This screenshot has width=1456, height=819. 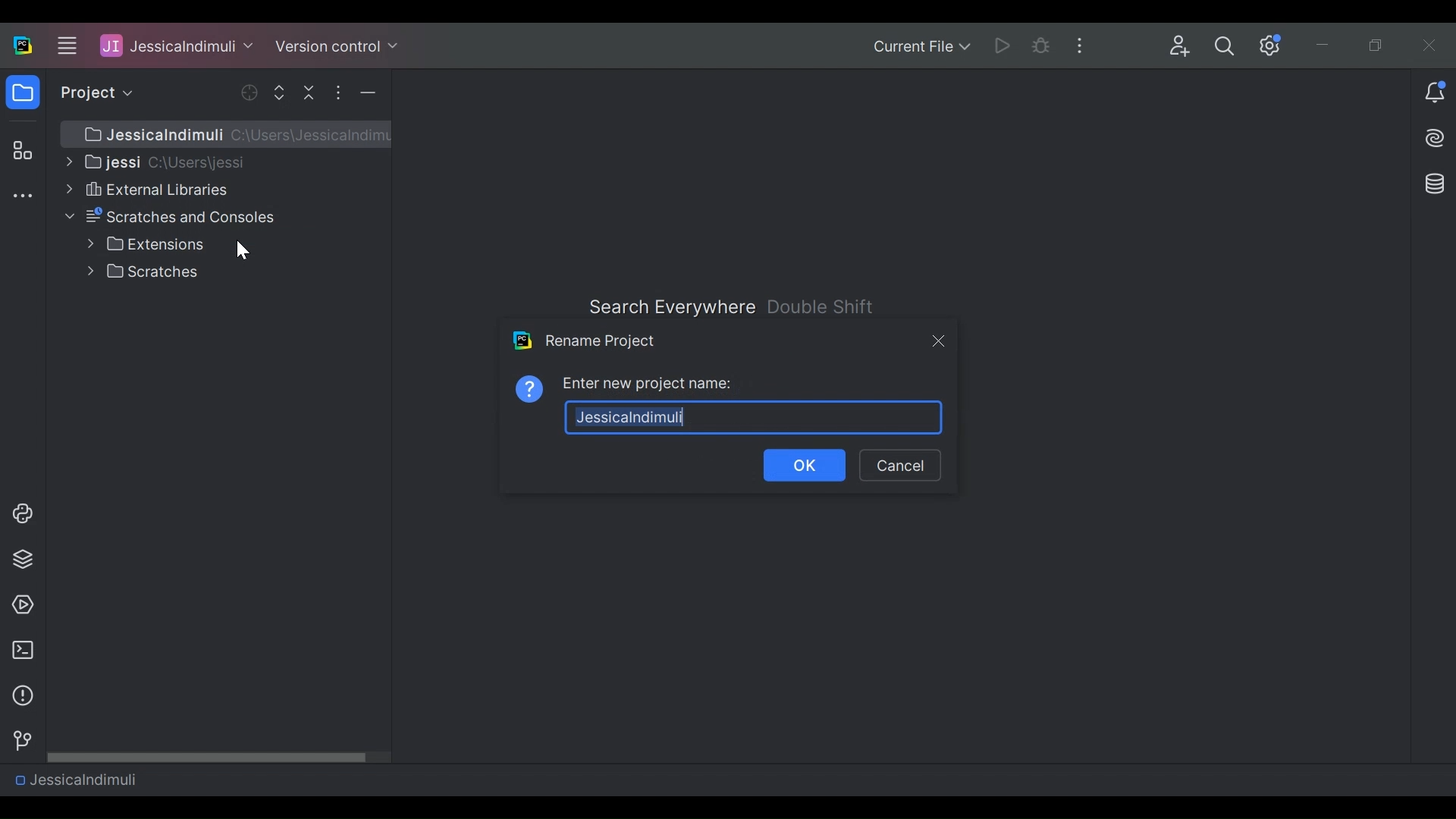 What do you see at coordinates (232, 134) in the screenshot?
I see `JessicaIndumuli` at bounding box center [232, 134].